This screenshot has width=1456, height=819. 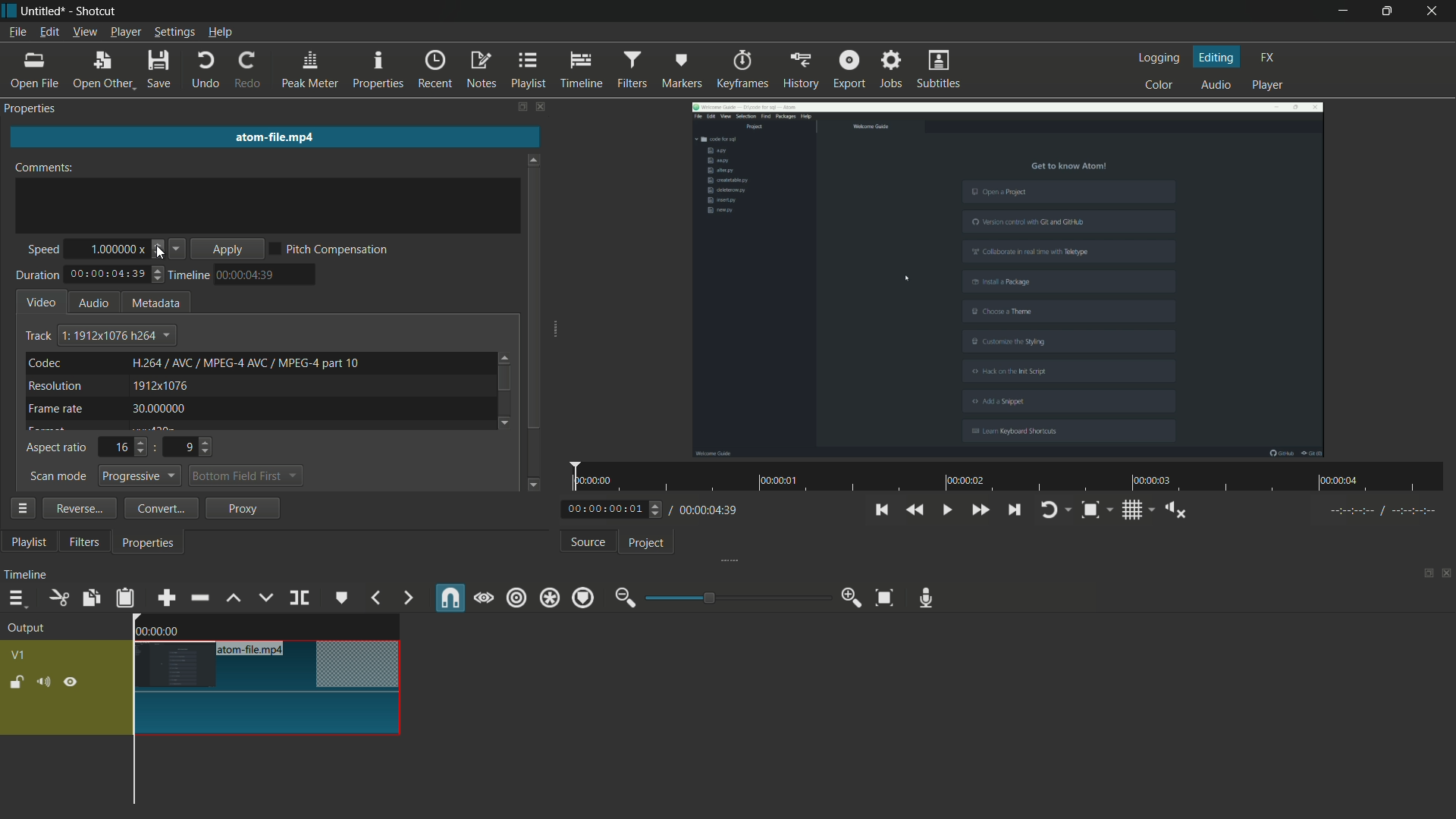 I want to click on player, so click(x=1267, y=85).